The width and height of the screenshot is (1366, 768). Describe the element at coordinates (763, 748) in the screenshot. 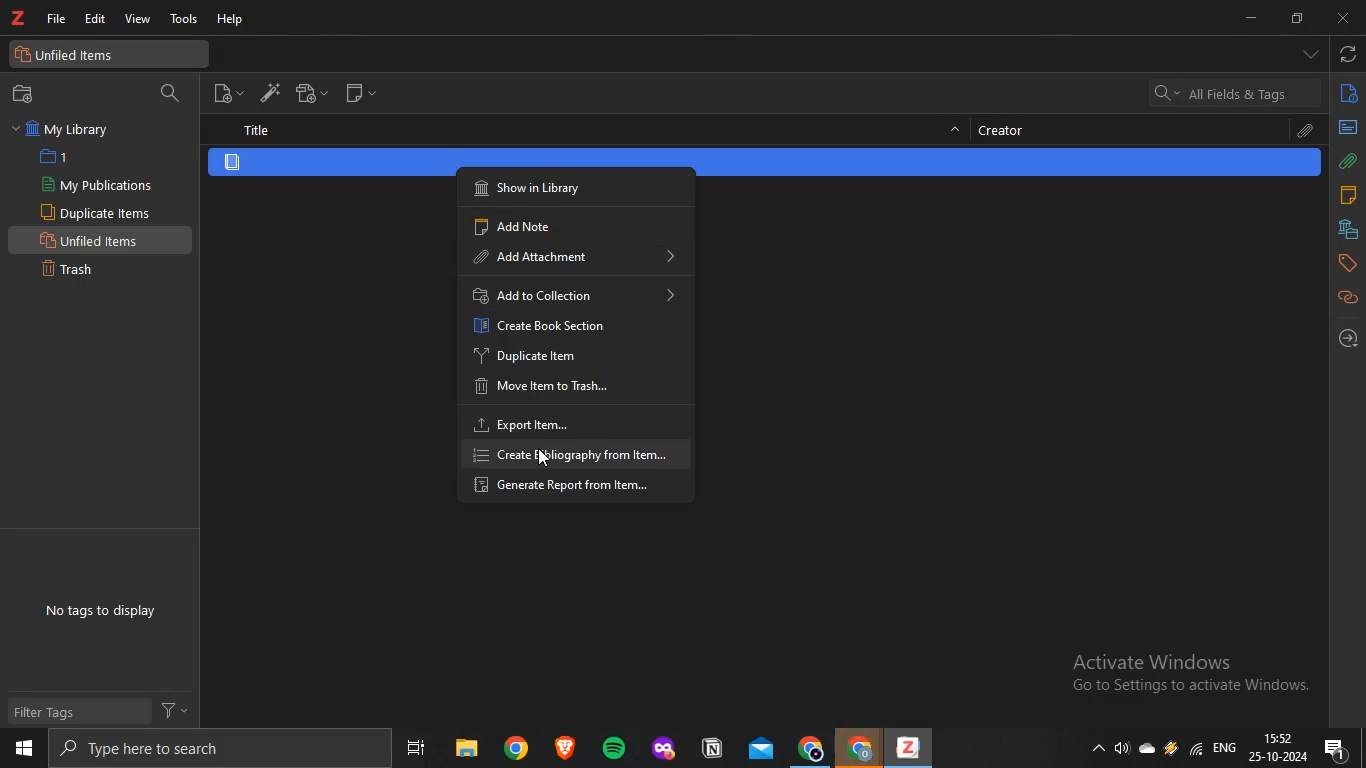

I see `mail` at that location.